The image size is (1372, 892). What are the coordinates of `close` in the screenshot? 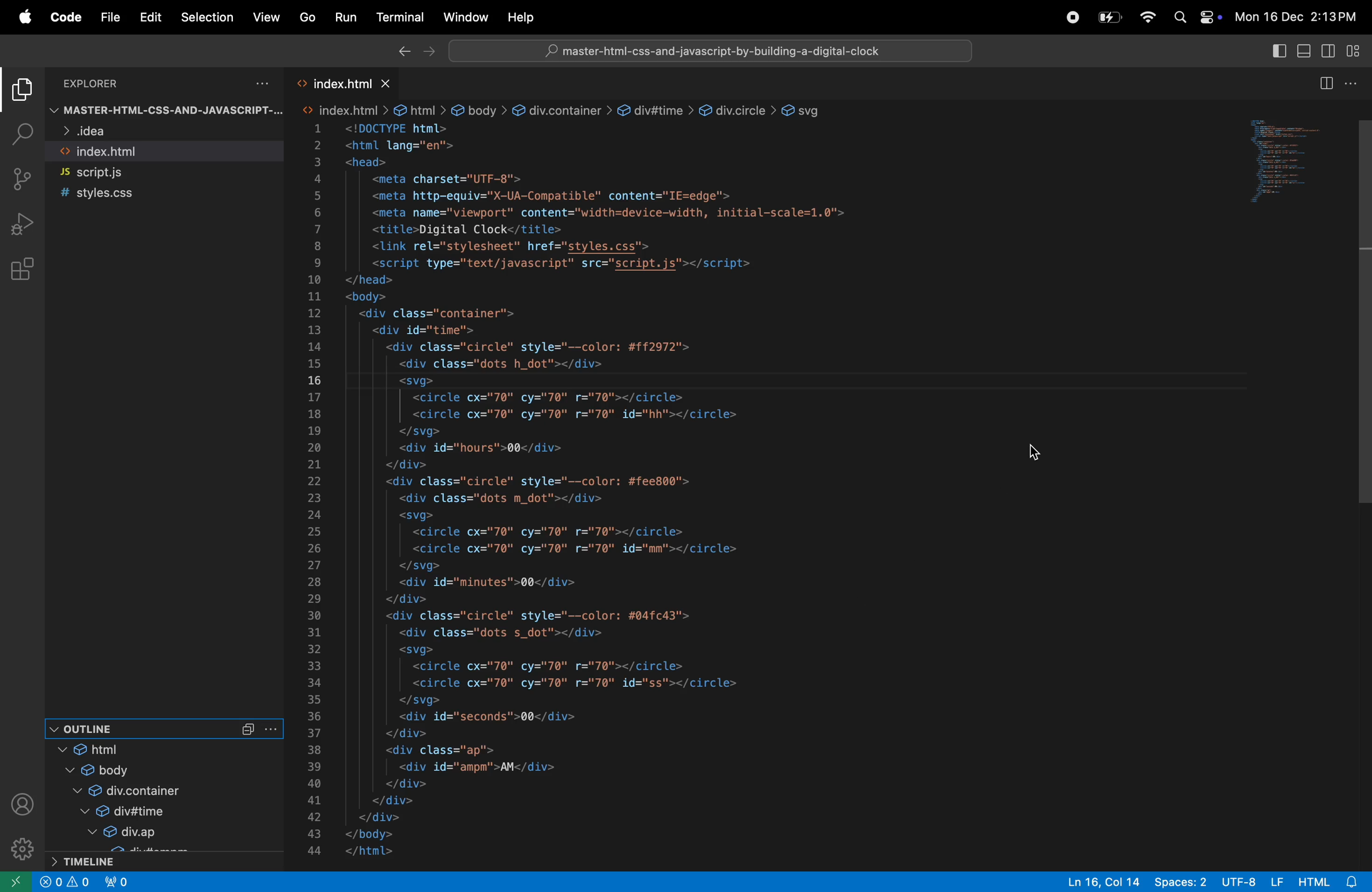 It's located at (388, 84).